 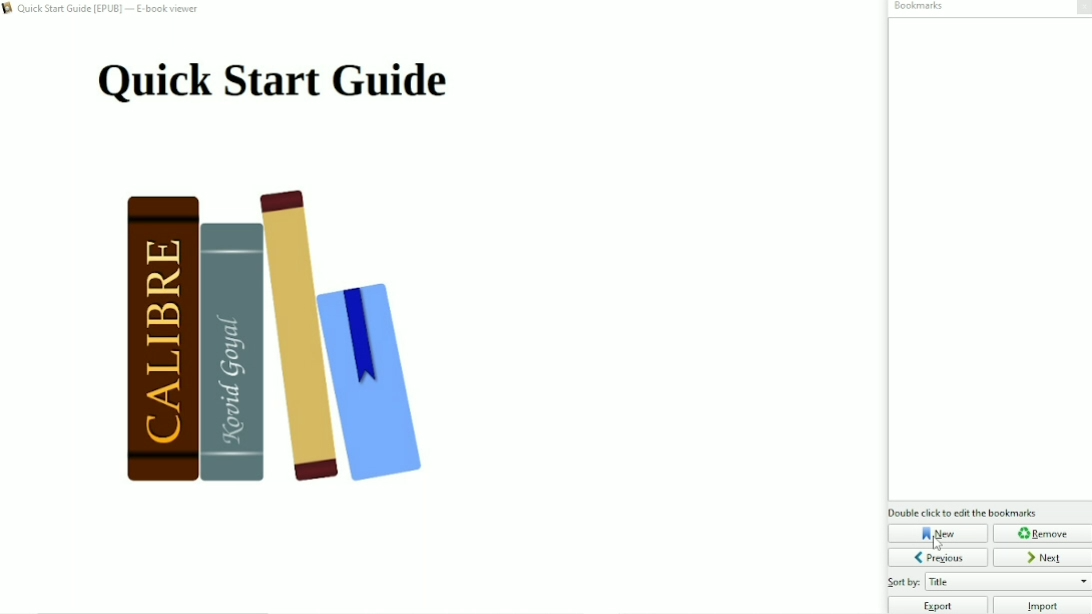 I want to click on Book name, so click(x=111, y=10).